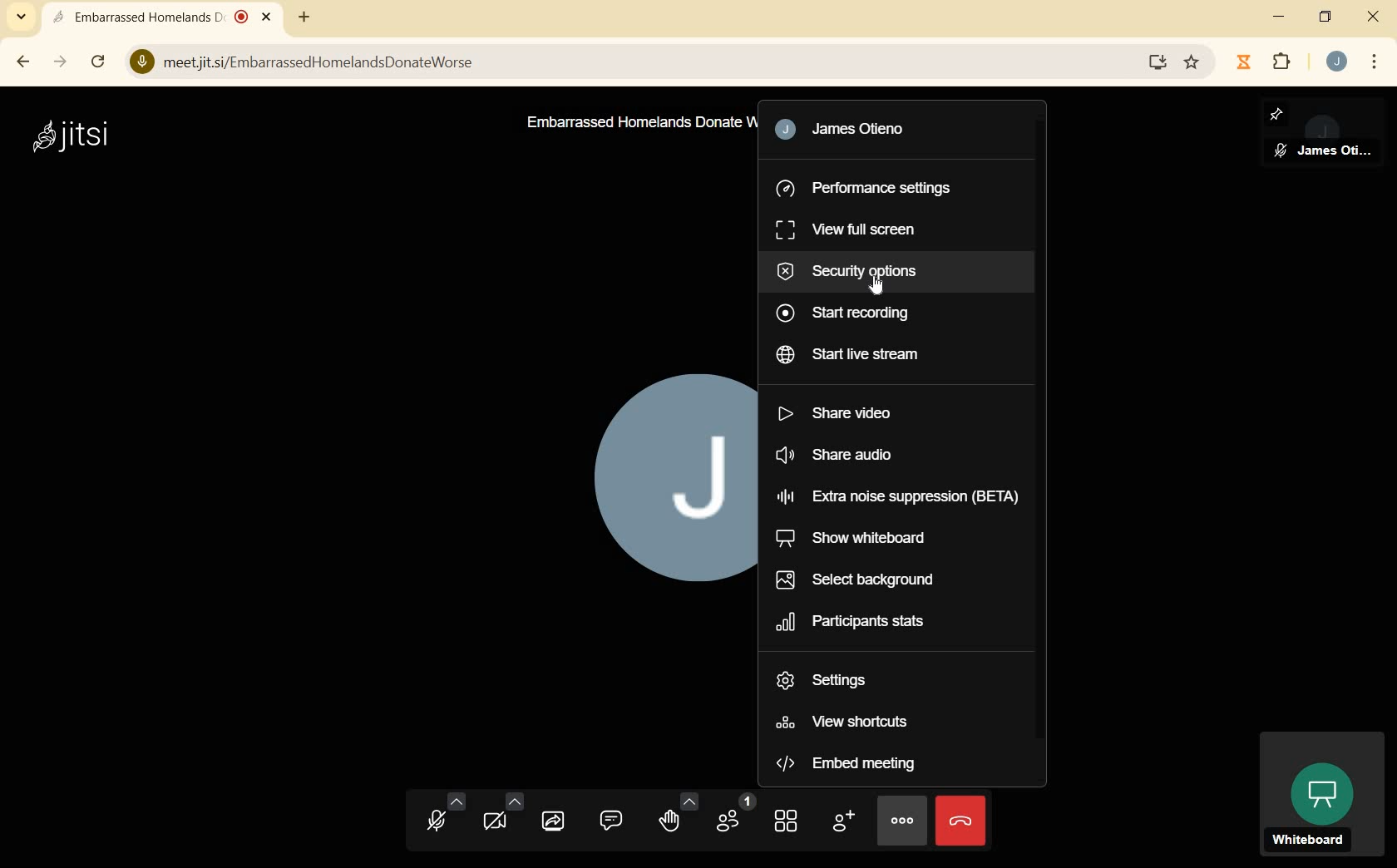 This screenshot has height=868, width=1397. I want to click on participants stats, so click(876, 624).